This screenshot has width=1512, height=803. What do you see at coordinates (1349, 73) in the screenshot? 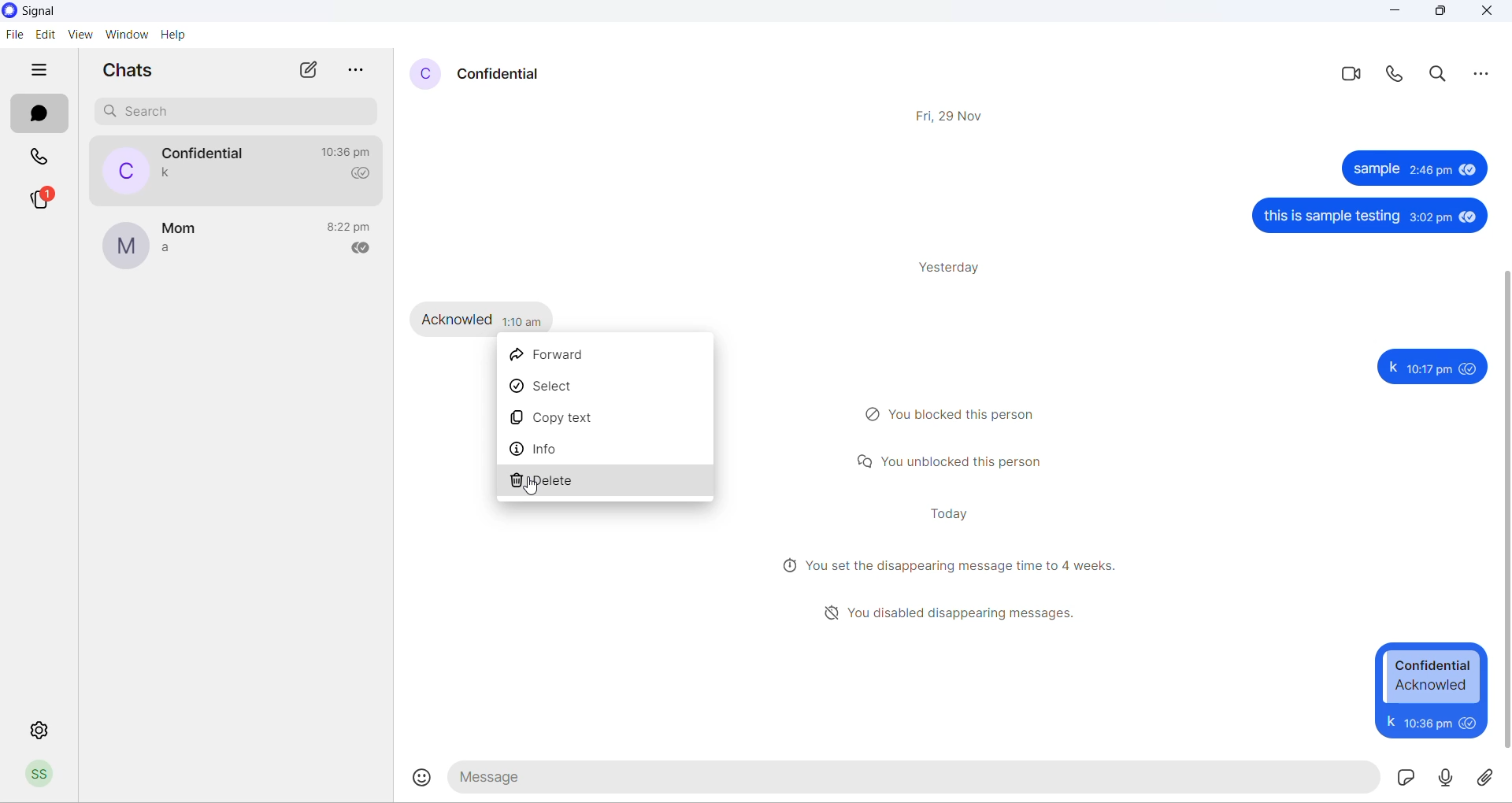
I see `video call` at bounding box center [1349, 73].